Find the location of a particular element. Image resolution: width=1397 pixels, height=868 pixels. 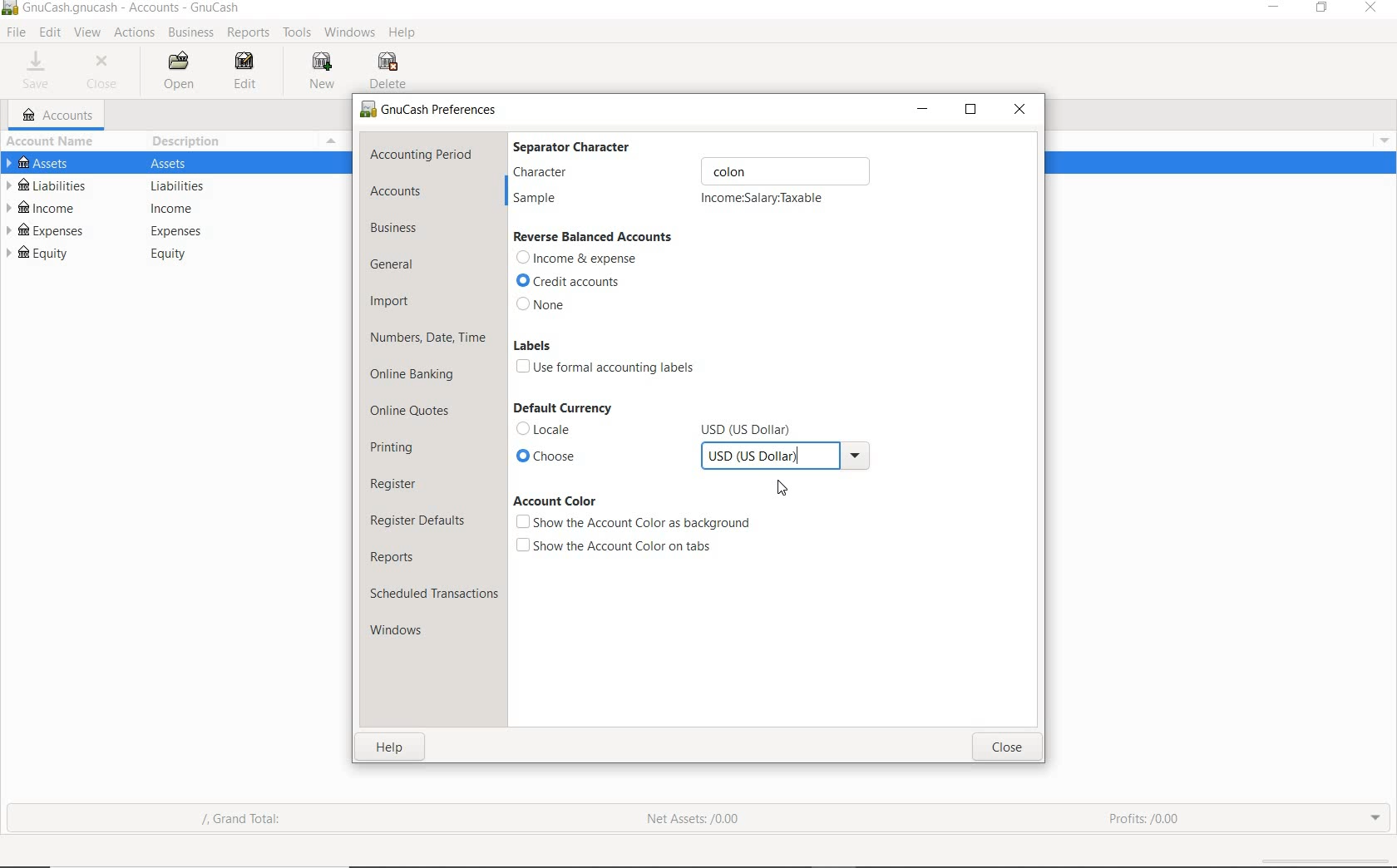

grand total is located at coordinates (253, 821).